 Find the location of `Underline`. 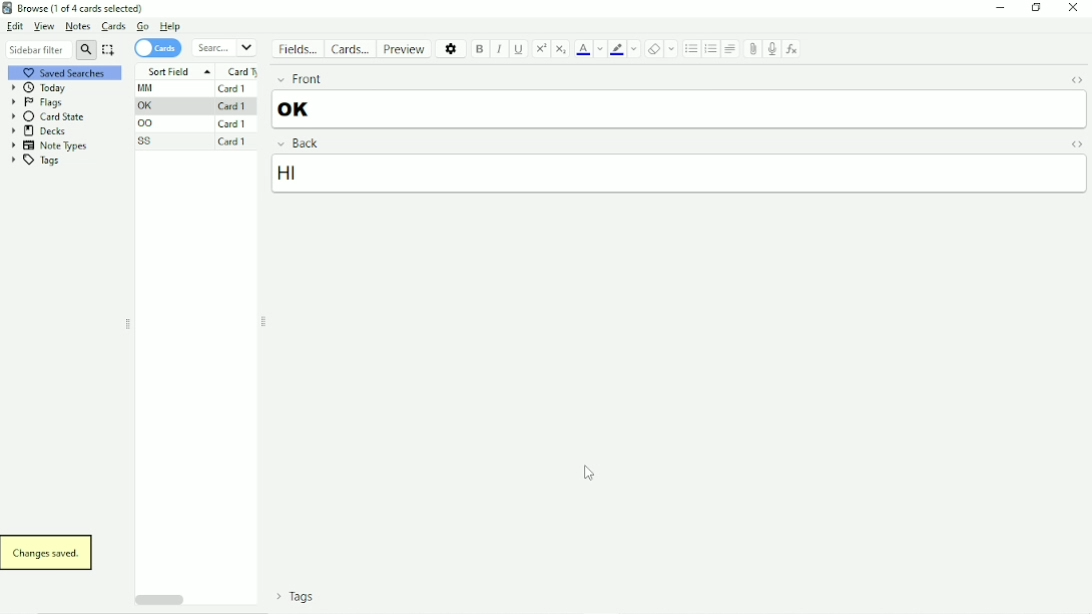

Underline is located at coordinates (520, 48).